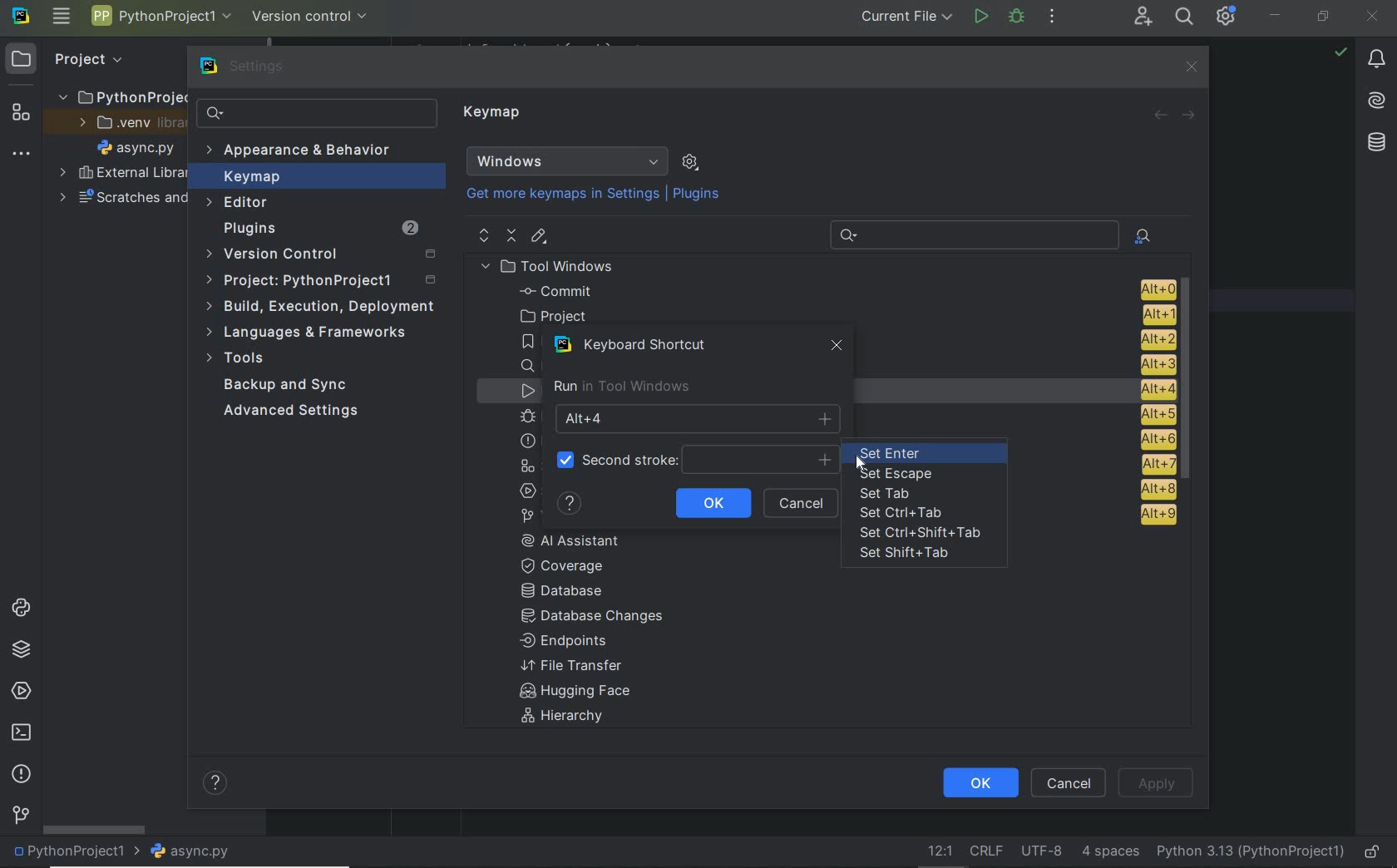  I want to click on alt +3, so click(1153, 363).